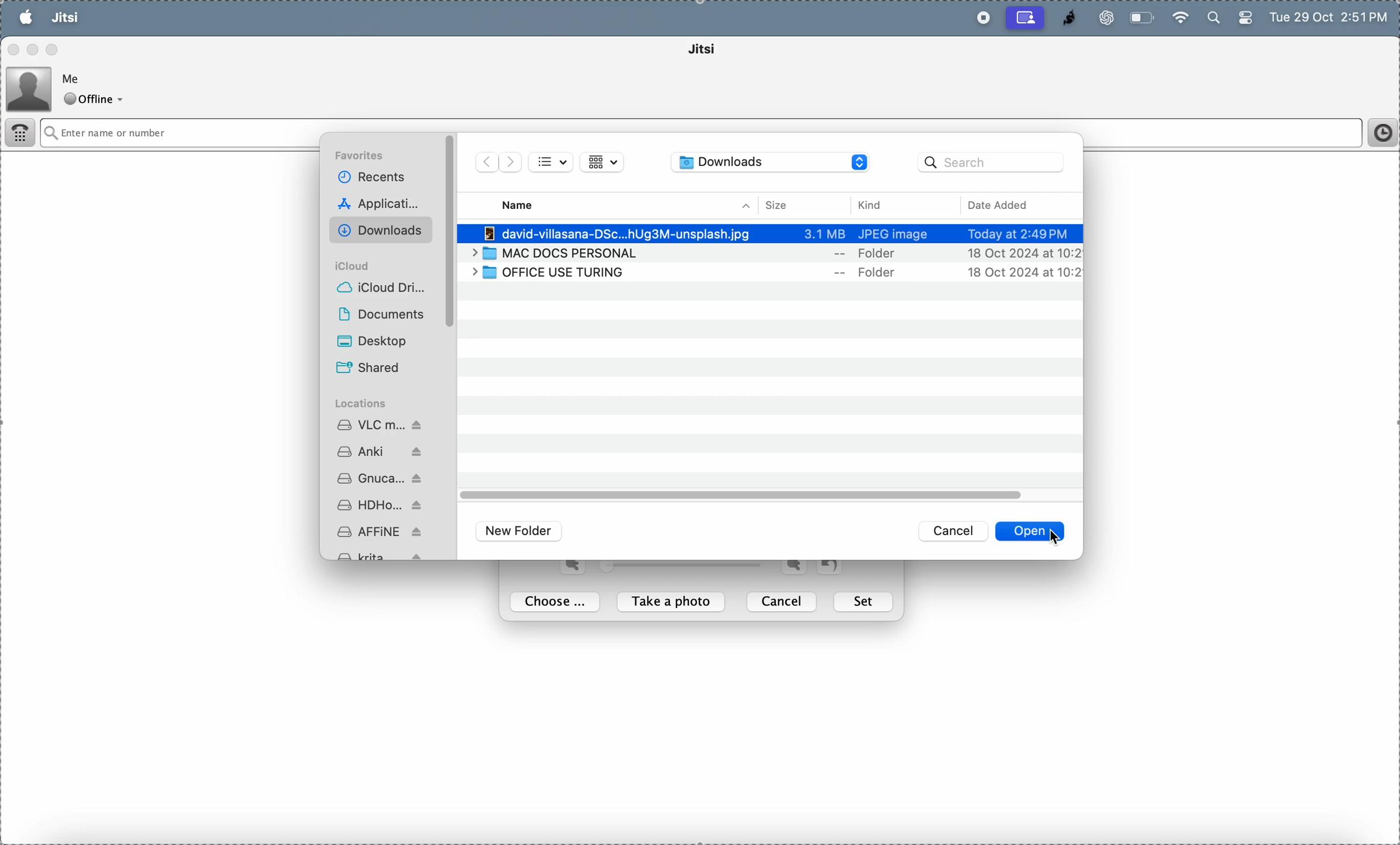 Image resolution: width=1400 pixels, height=845 pixels. What do you see at coordinates (558, 603) in the screenshot?
I see `choose` at bounding box center [558, 603].